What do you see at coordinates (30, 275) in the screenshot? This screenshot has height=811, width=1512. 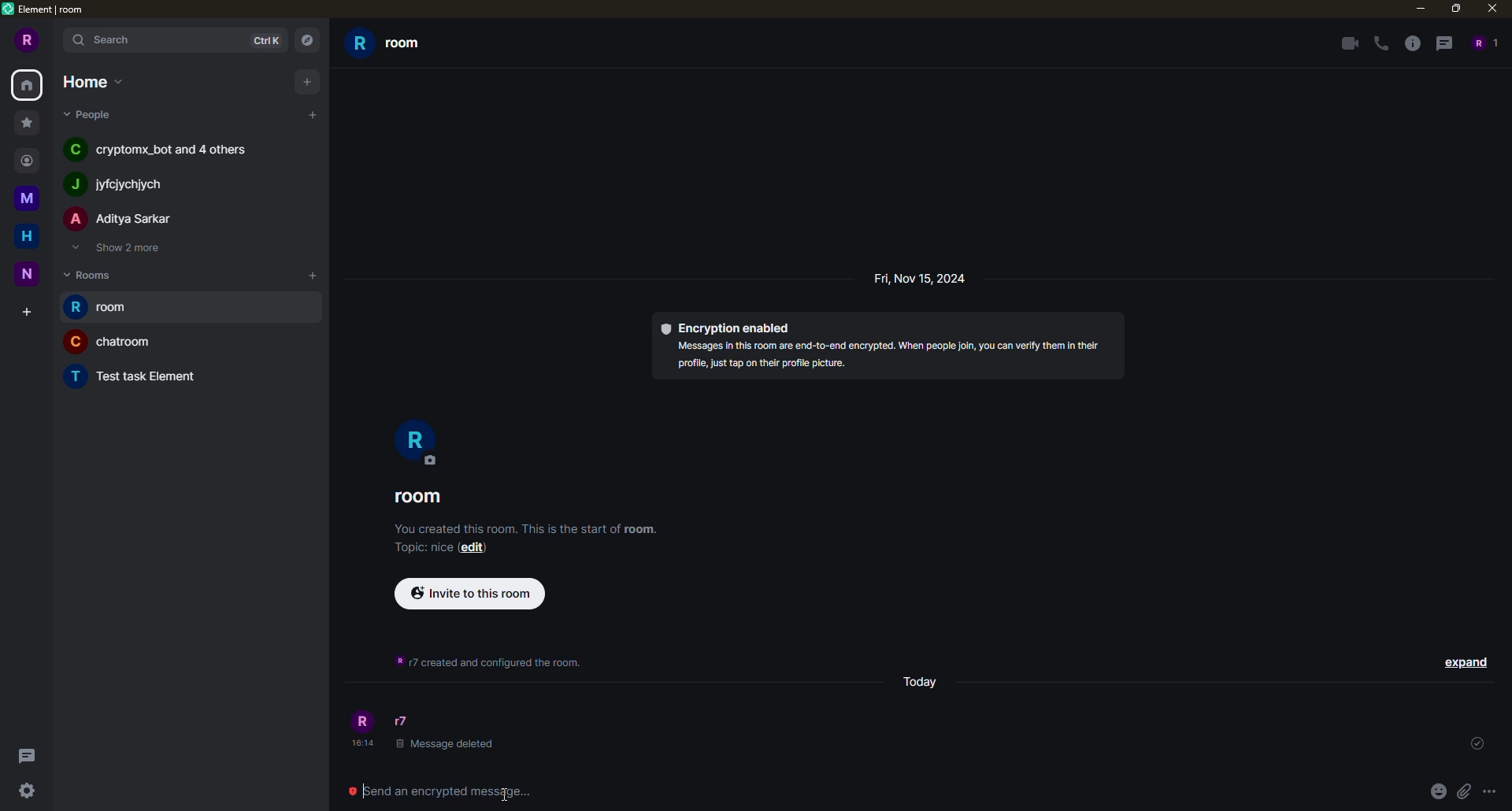 I see `space` at bounding box center [30, 275].